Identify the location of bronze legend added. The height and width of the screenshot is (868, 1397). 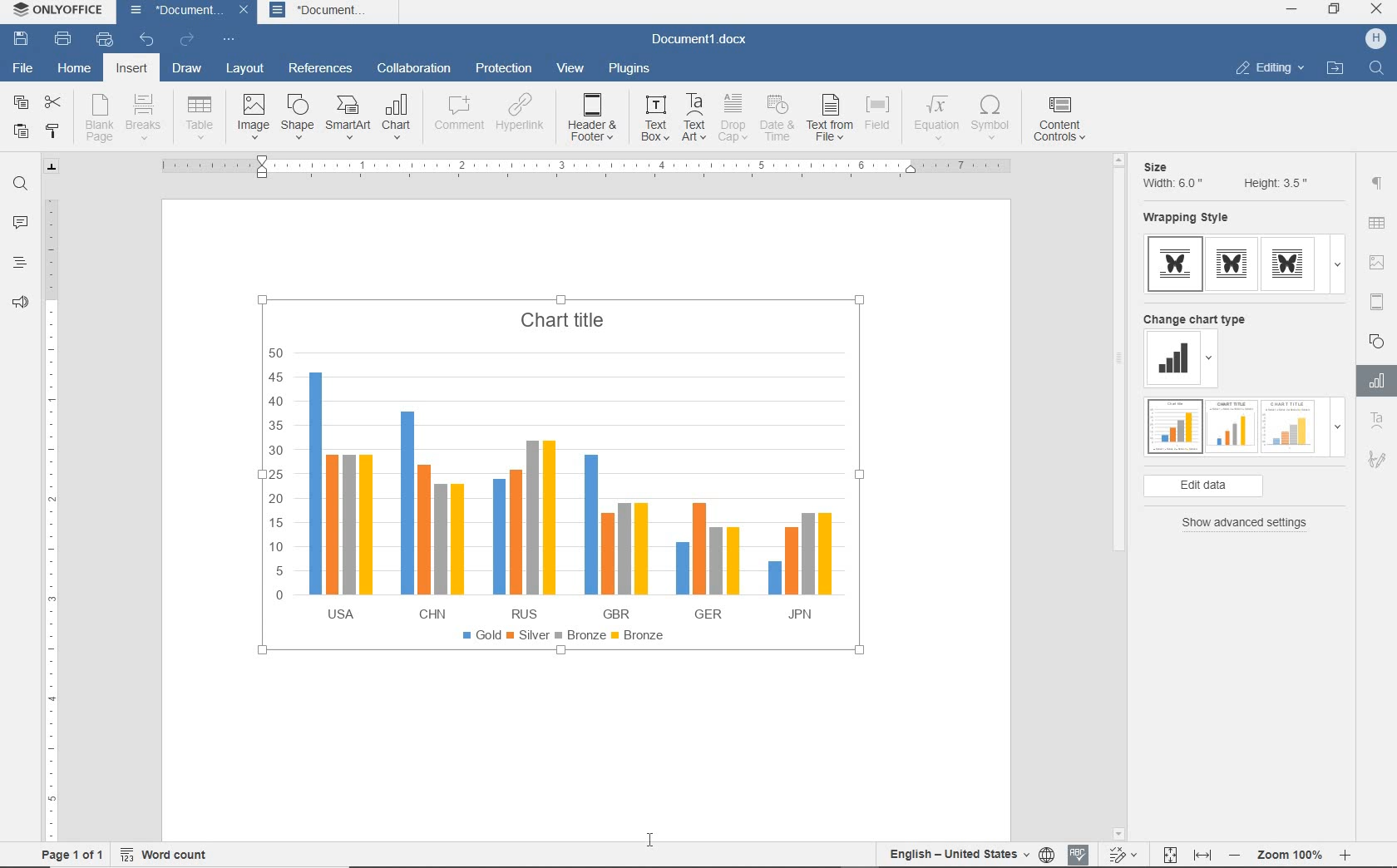
(564, 634).